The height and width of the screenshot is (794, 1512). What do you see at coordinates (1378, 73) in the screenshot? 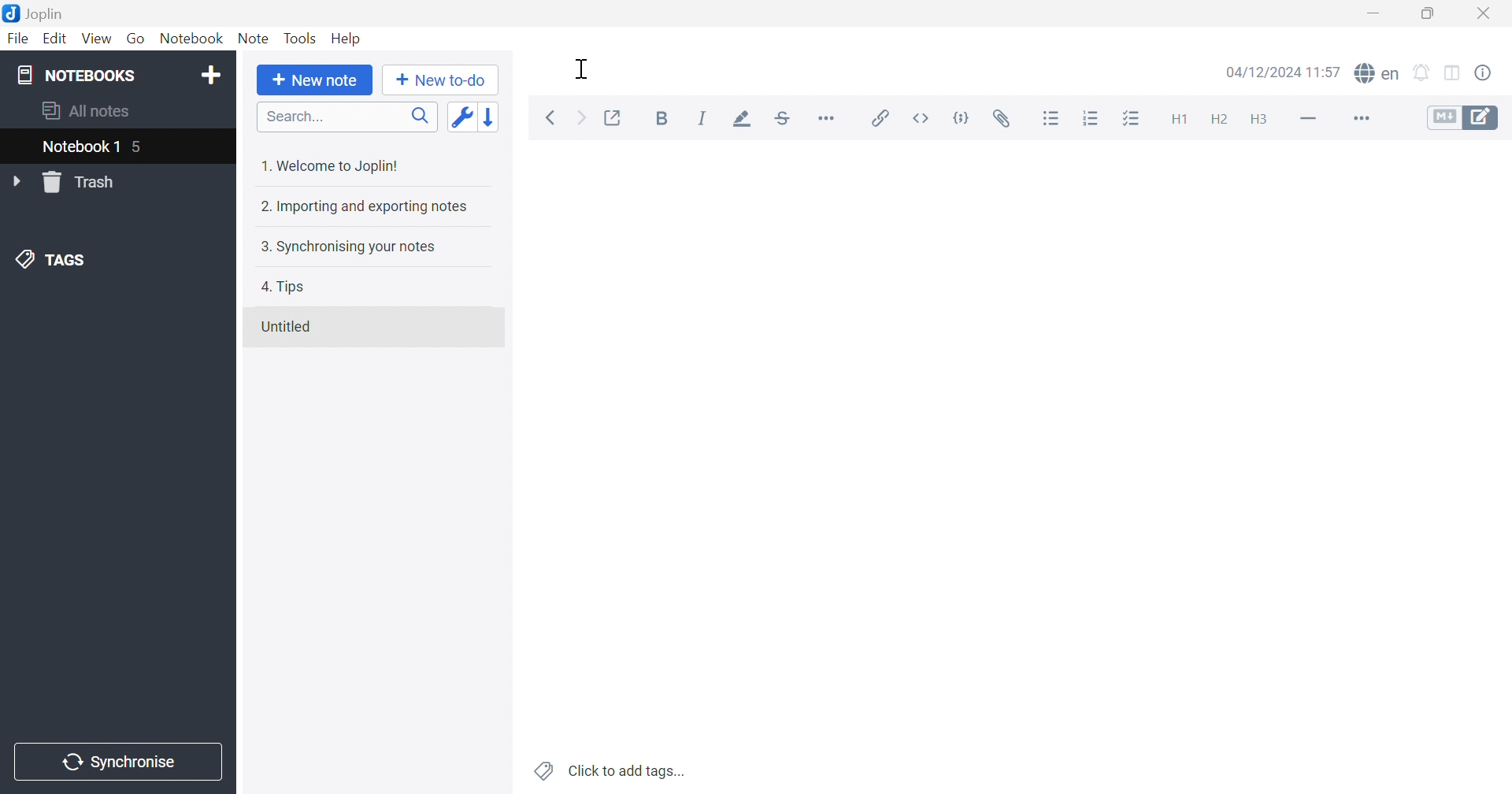
I see `Spell checker` at bounding box center [1378, 73].